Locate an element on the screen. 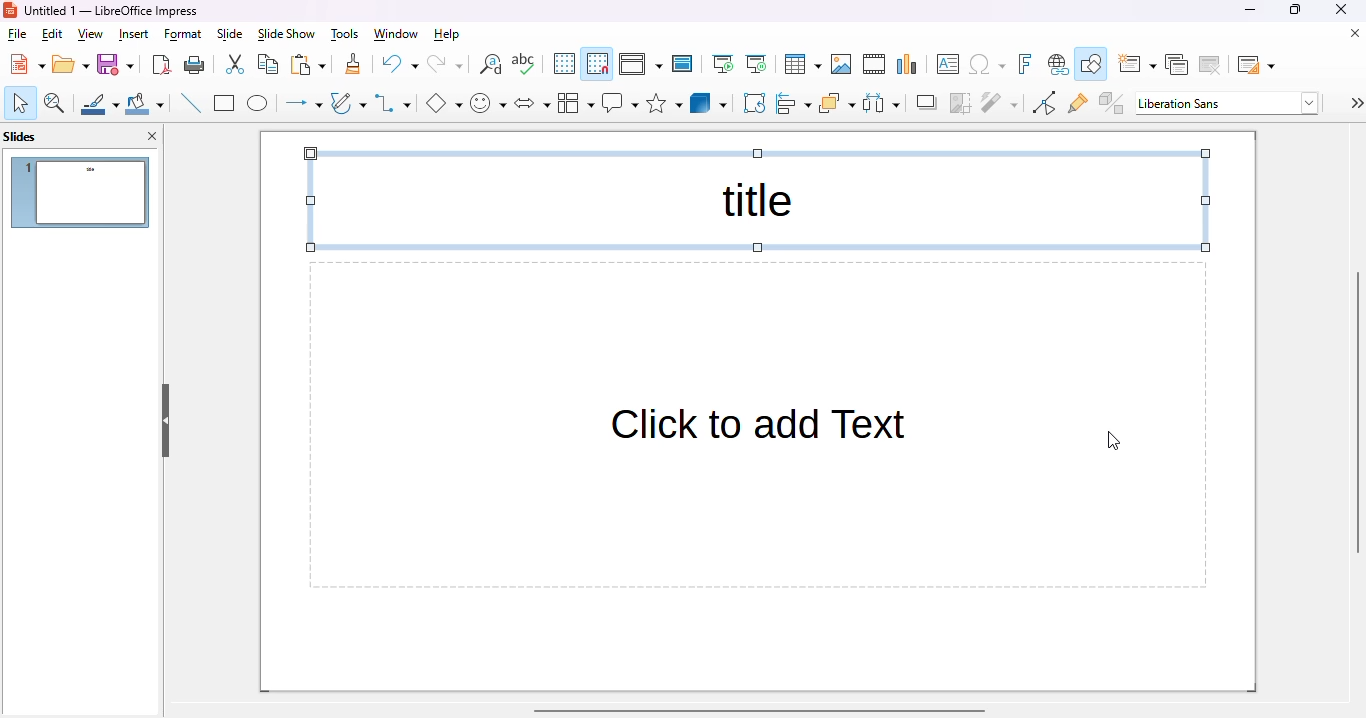 This screenshot has height=718, width=1366. copy is located at coordinates (268, 64).